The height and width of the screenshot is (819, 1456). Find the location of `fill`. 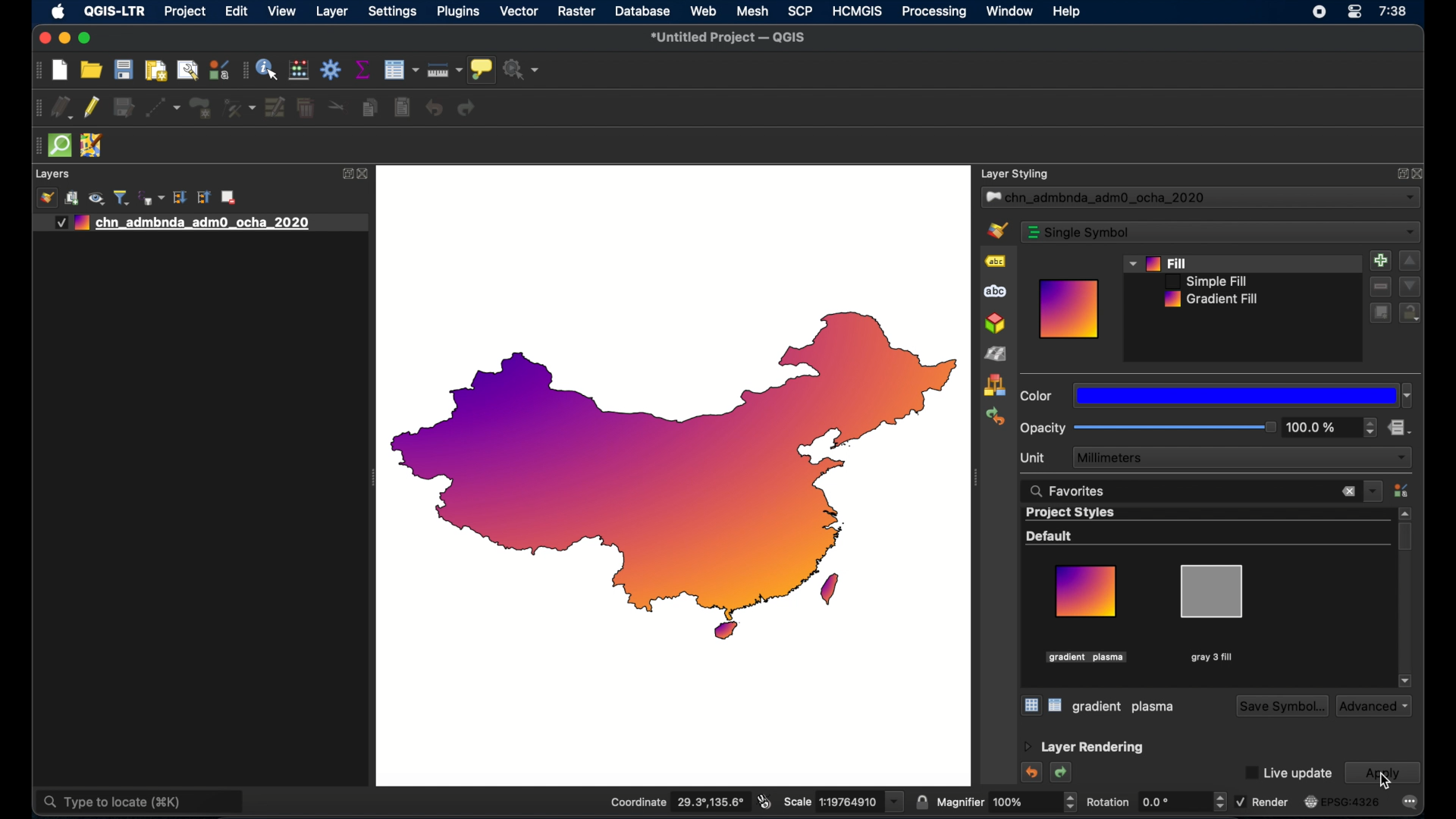

fill is located at coordinates (1165, 263).